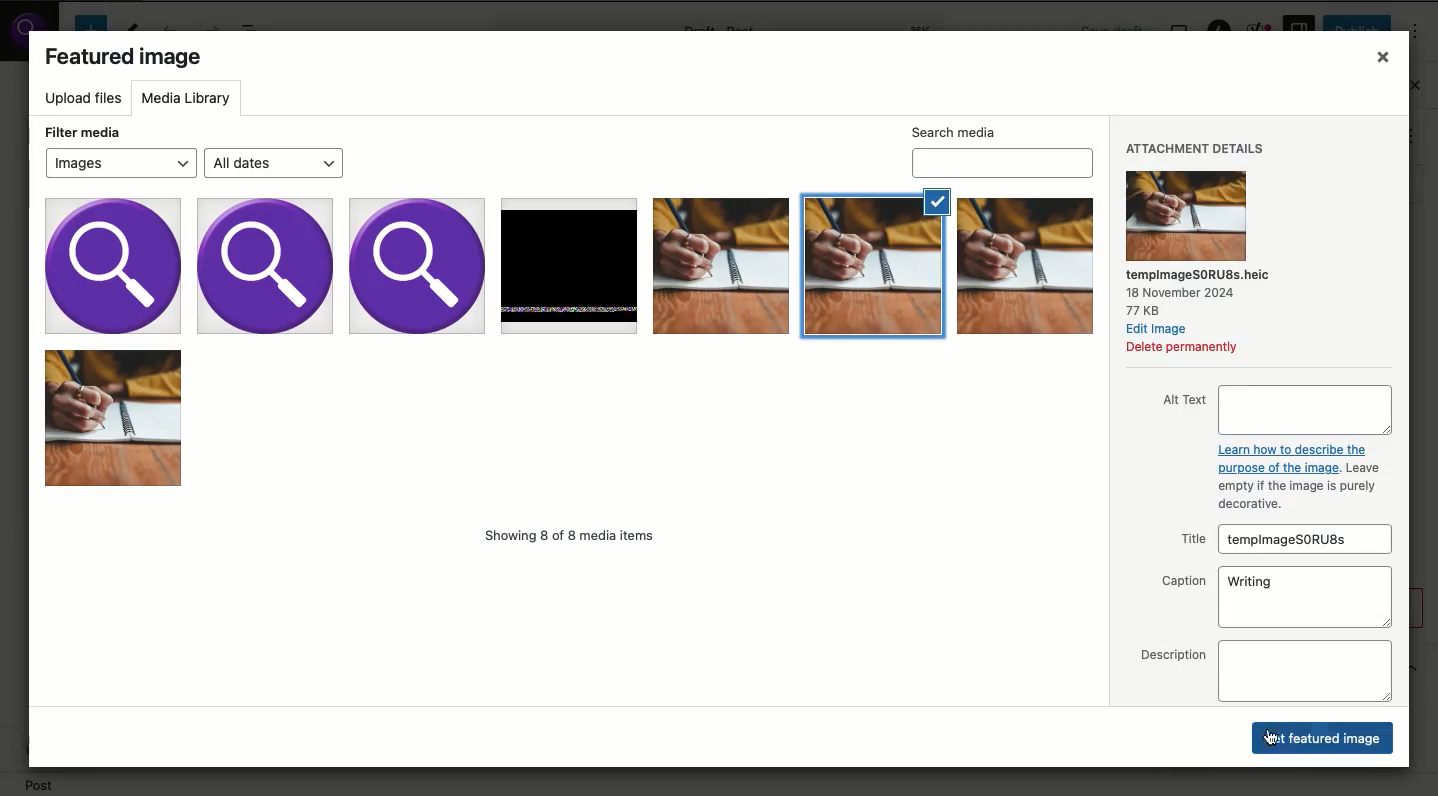 Image resolution: width=1438 pixels, height=796 pixels. What do you see at coordinates (572, 536) in the screenshot?
I see `Showing 8 of 8 media items ` at bounding box center [572, 536].